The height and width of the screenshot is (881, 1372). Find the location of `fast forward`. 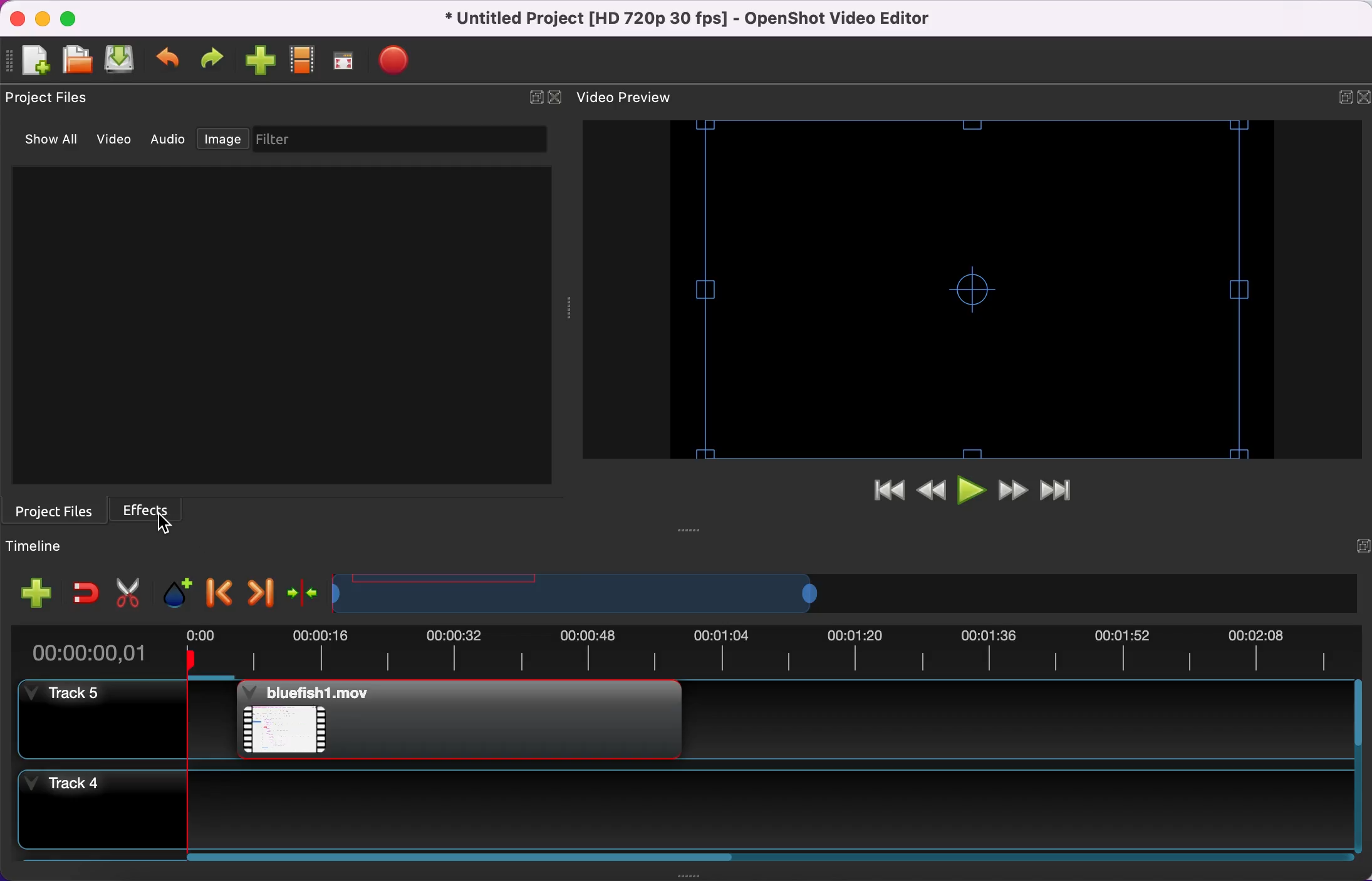

fast forward is located at coordinates (1014, 489).